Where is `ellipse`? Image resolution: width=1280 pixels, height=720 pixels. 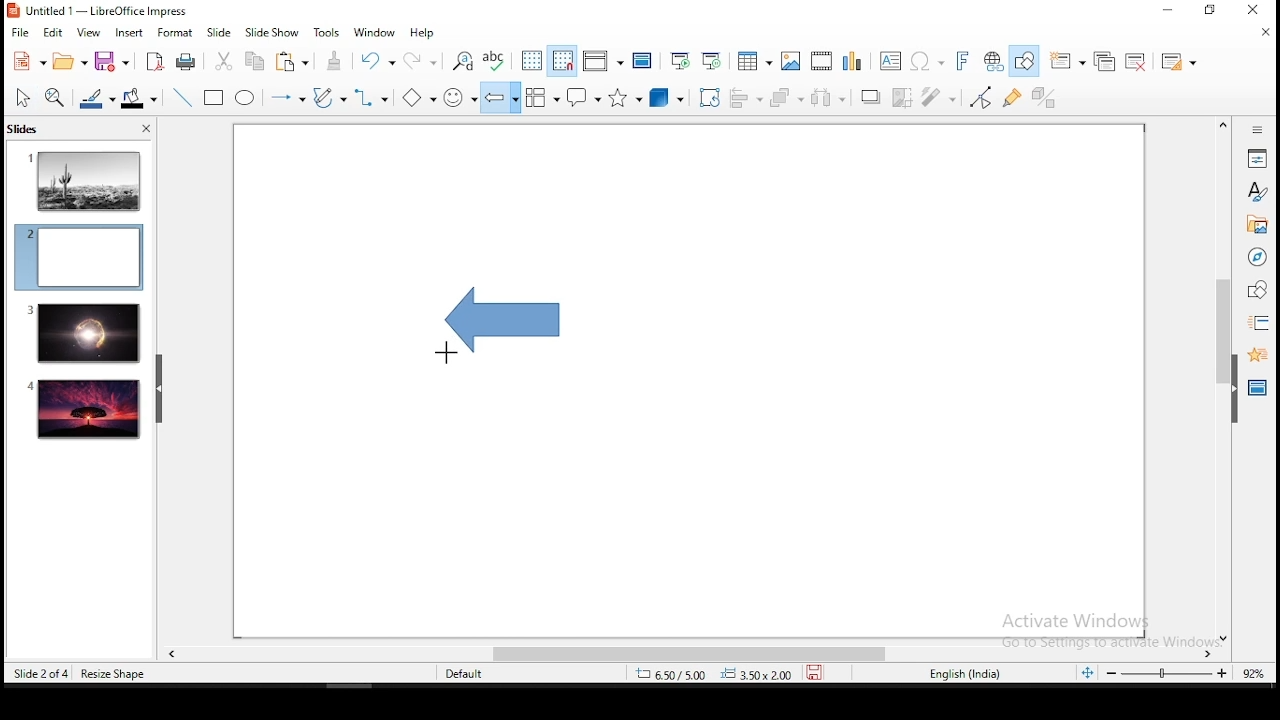 ellipse is located at coordinates (244, 98).